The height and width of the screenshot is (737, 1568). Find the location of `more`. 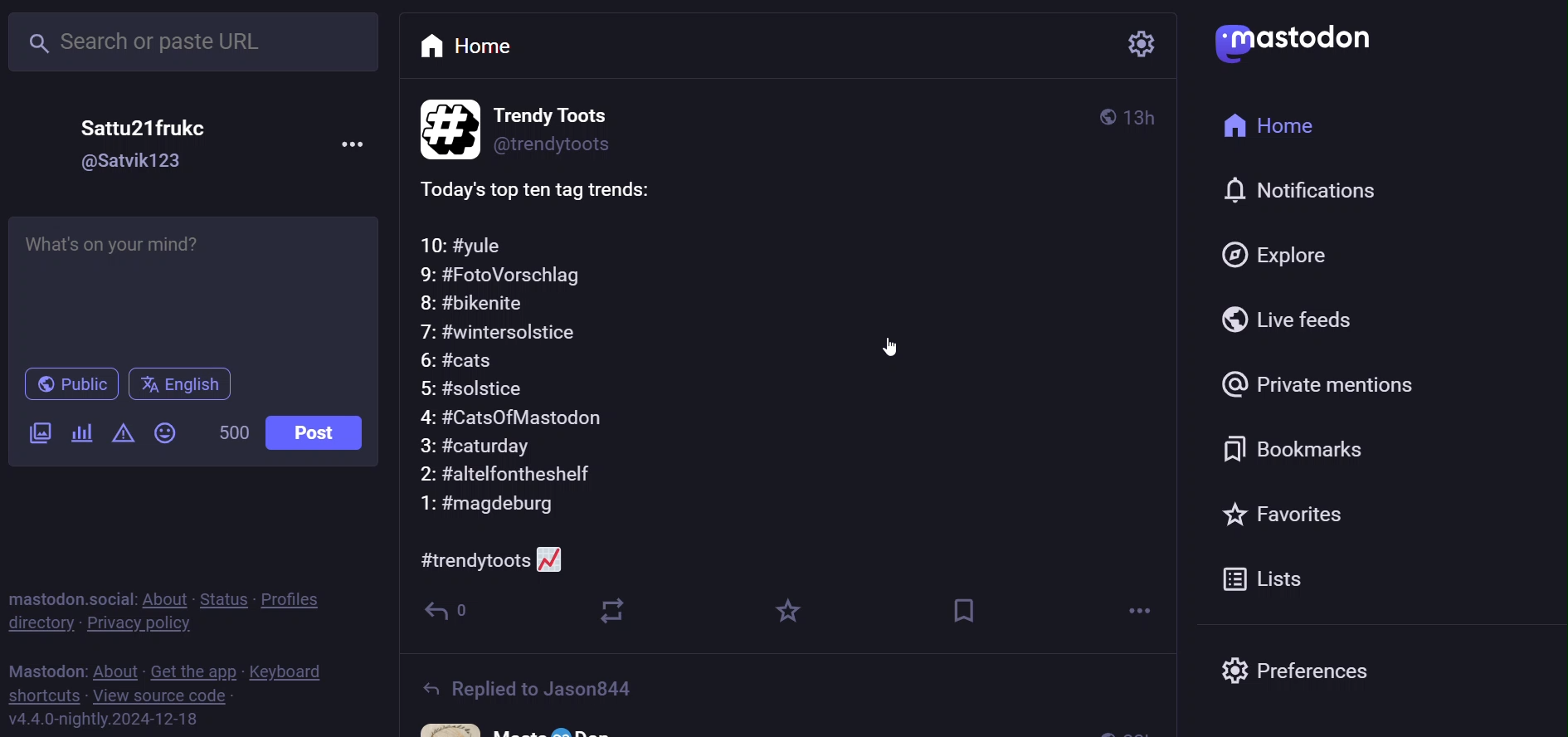

more is located at coordinates (352, 142).